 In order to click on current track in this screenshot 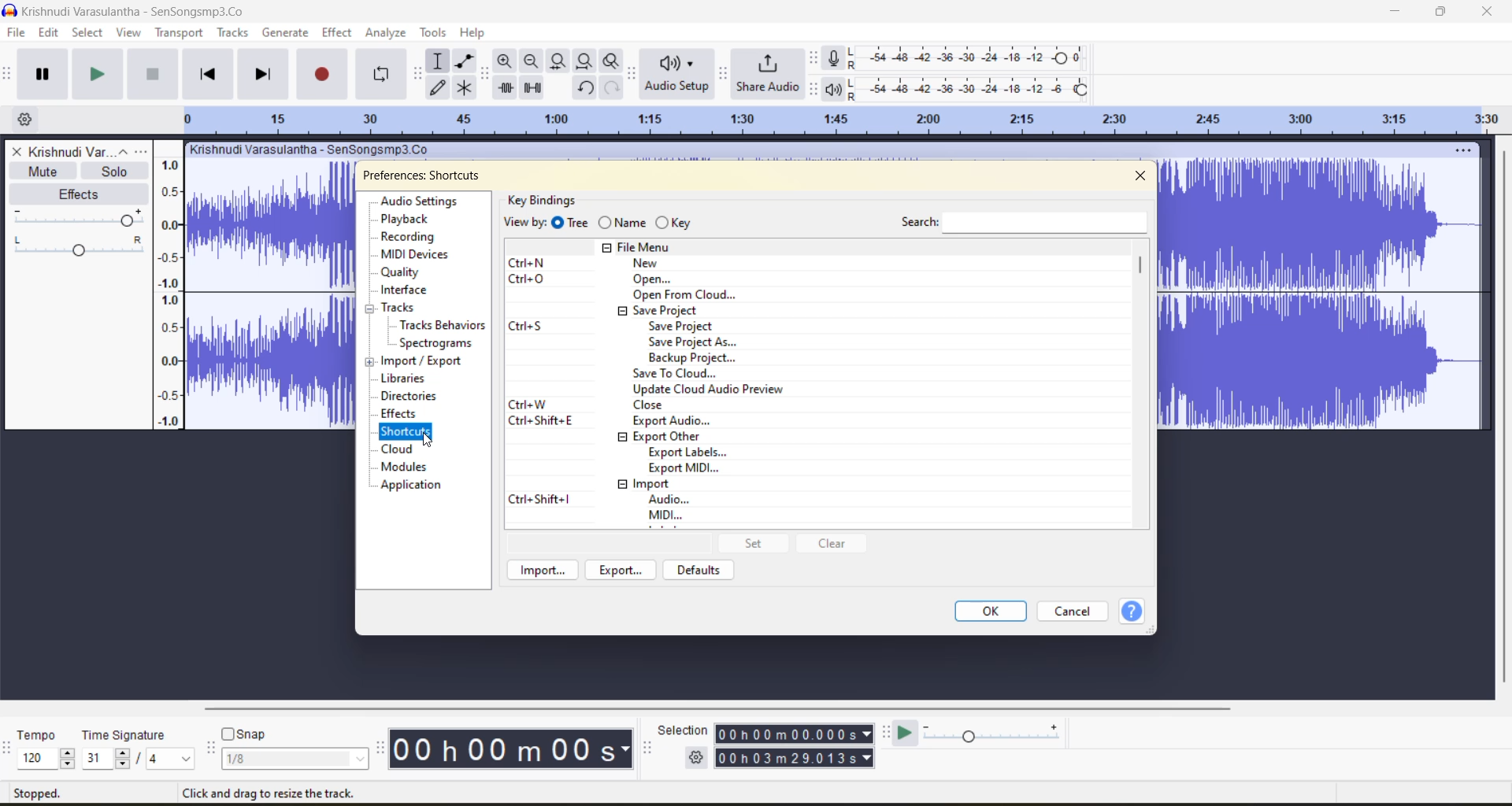, I will do `click(265, 298)`.